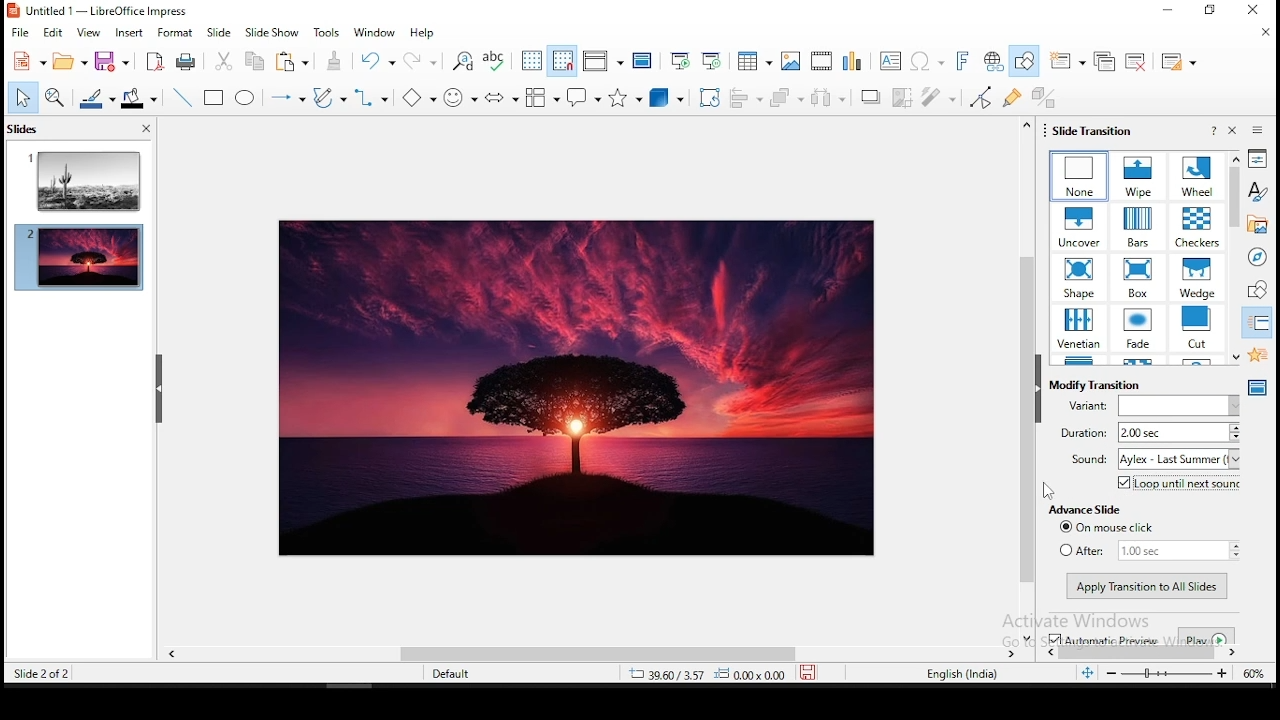  Describe the element at coordinates (187, 63) in the screenshot. I see `print` at that location.